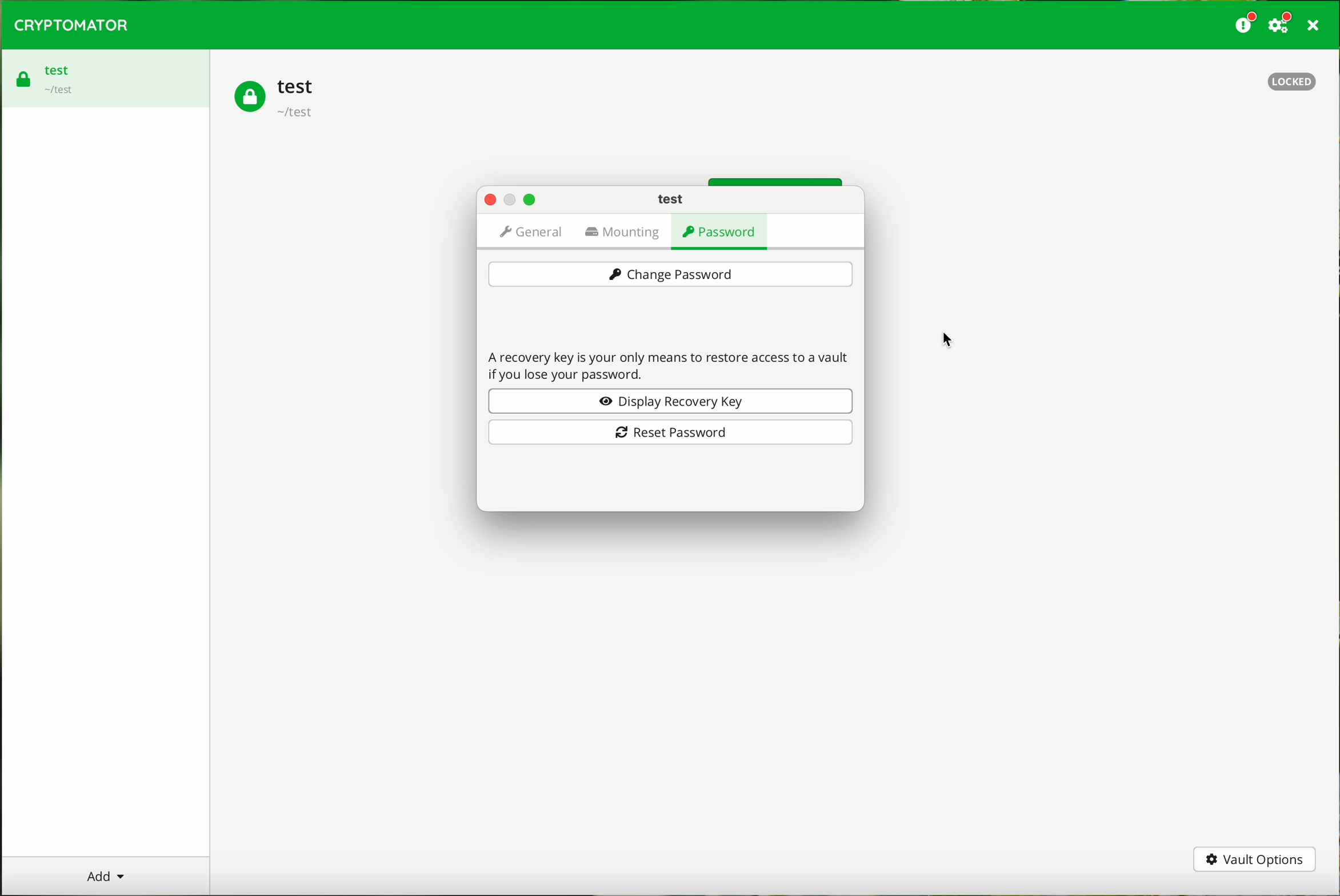 This screenshot has width=1340, height=896. Describe the element at coordinates (1246, 23) in the screenshot. I see `donate` at that location.